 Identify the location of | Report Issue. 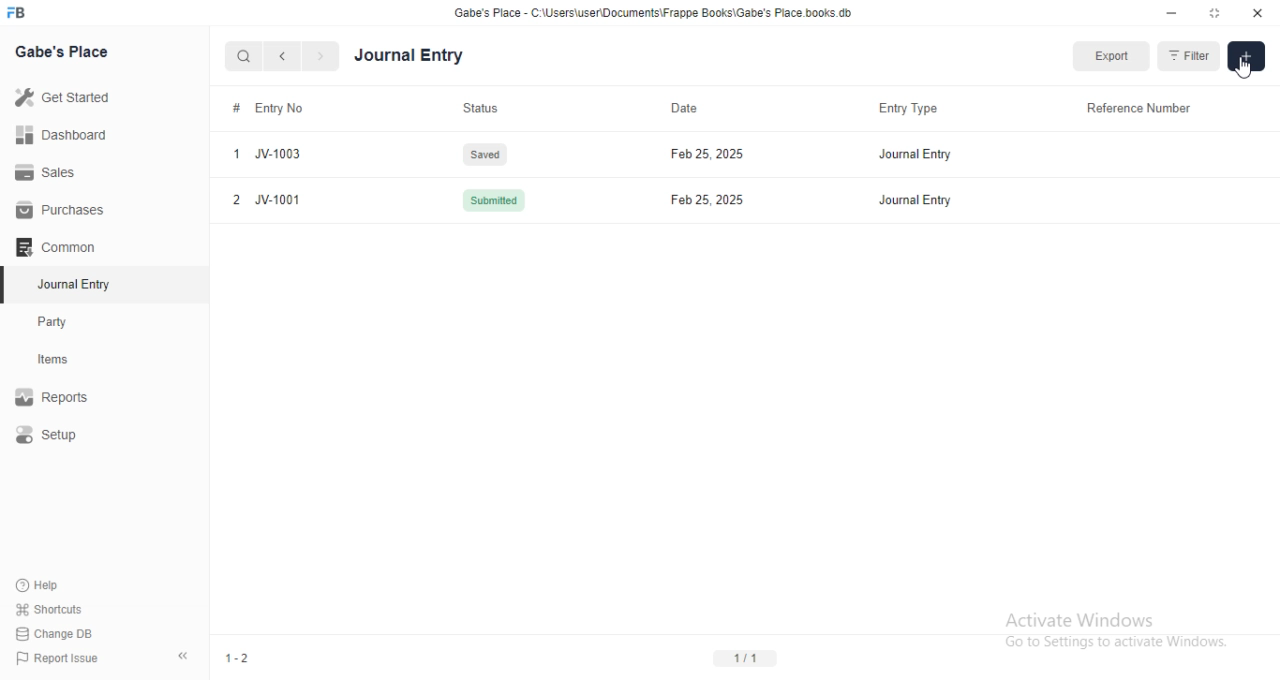
(59, 658).